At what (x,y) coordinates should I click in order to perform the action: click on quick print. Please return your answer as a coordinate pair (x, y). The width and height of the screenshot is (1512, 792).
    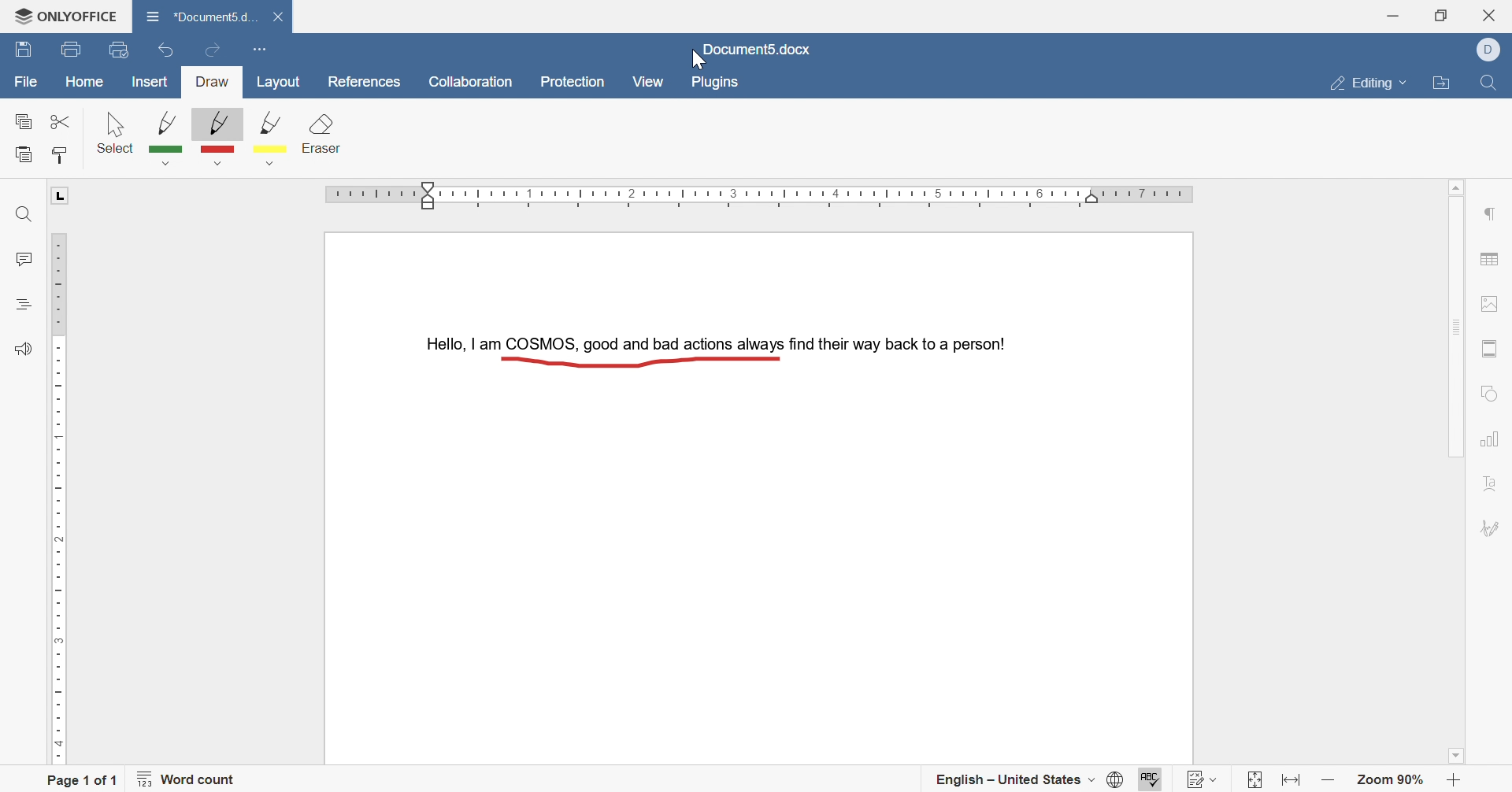
    Looking at the image, I should click on (121, 49).